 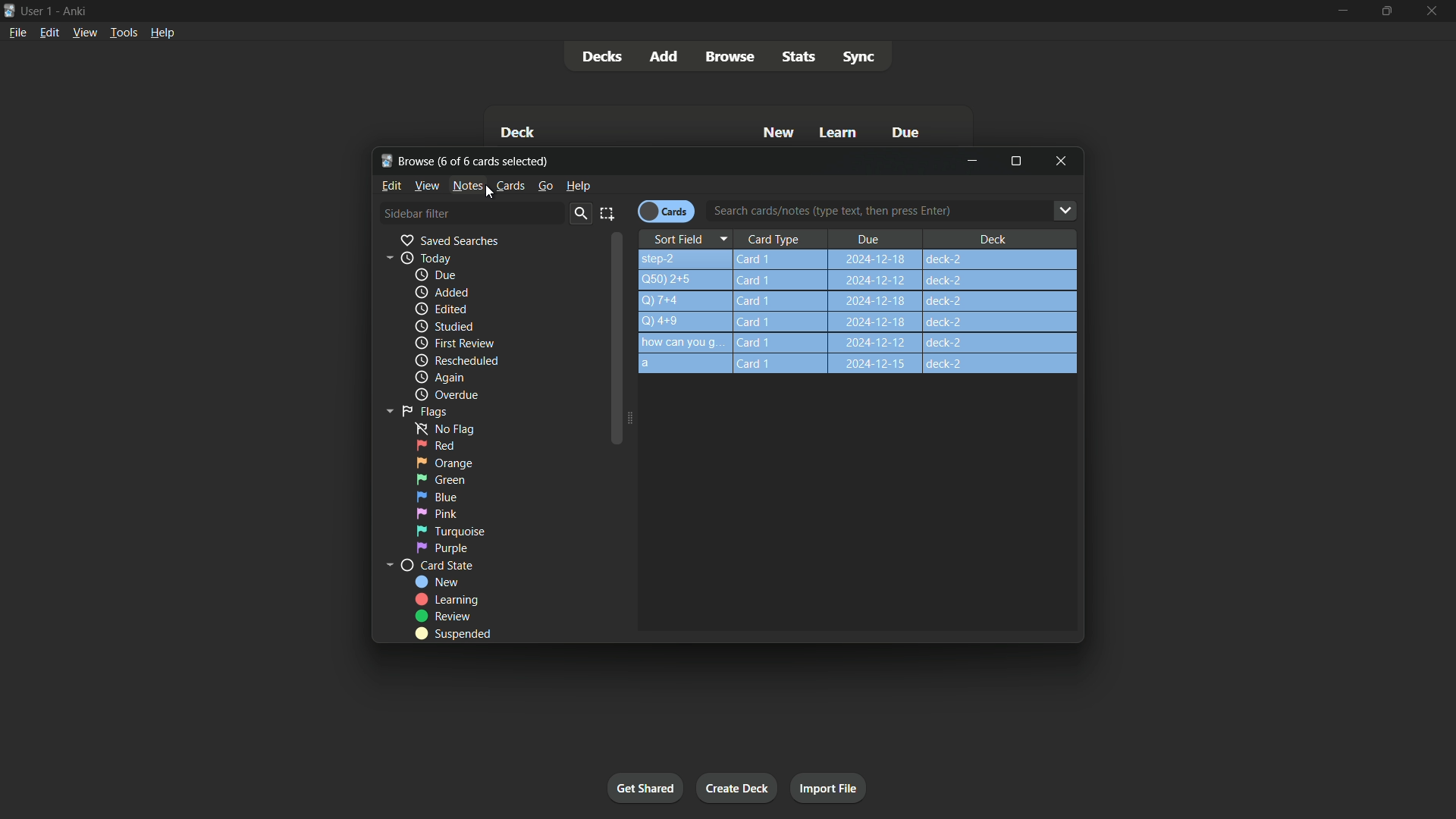 I want to click on View menu, so click(x=84, y=33).